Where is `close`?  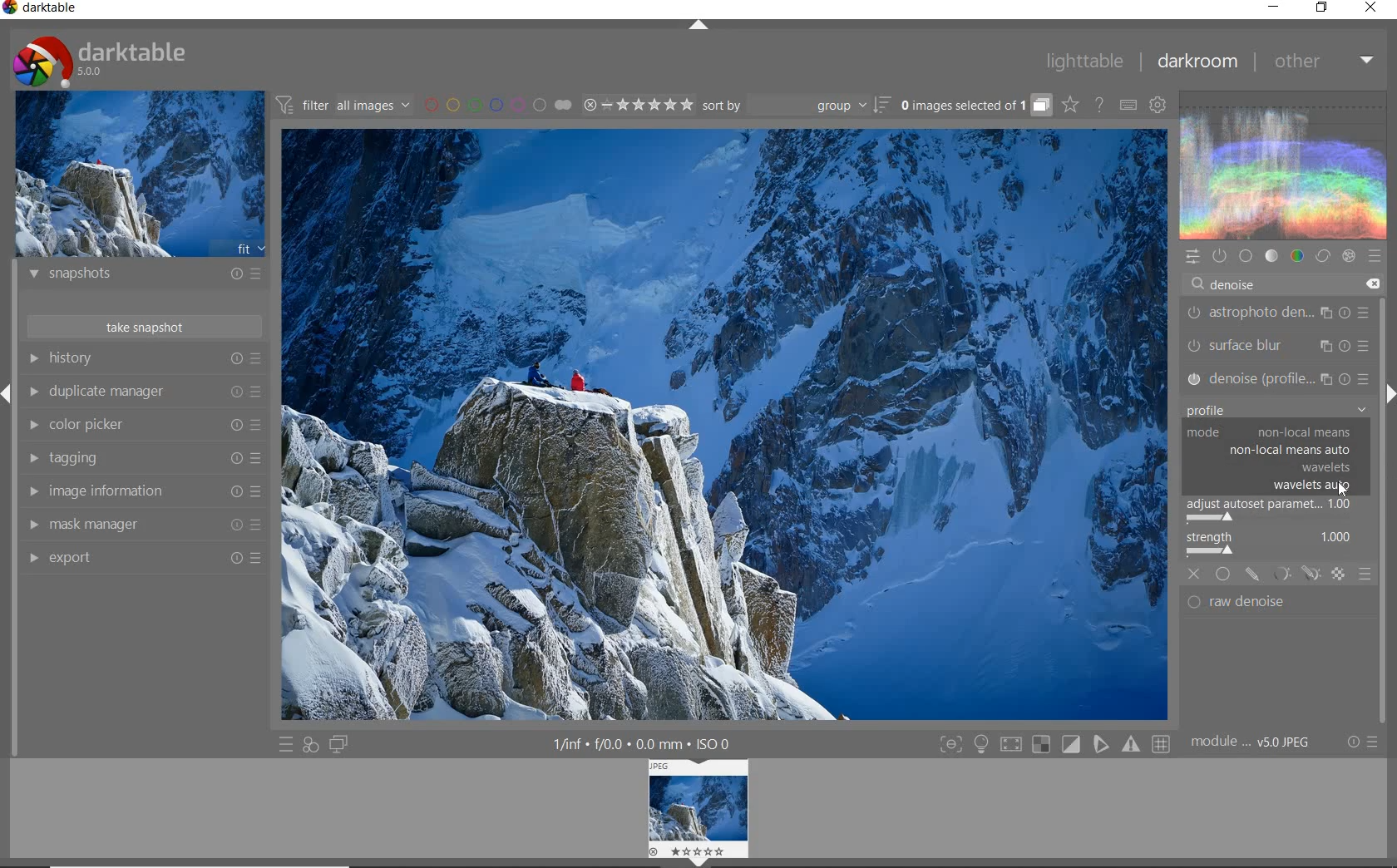 close is located at coordinates (1371, 8).